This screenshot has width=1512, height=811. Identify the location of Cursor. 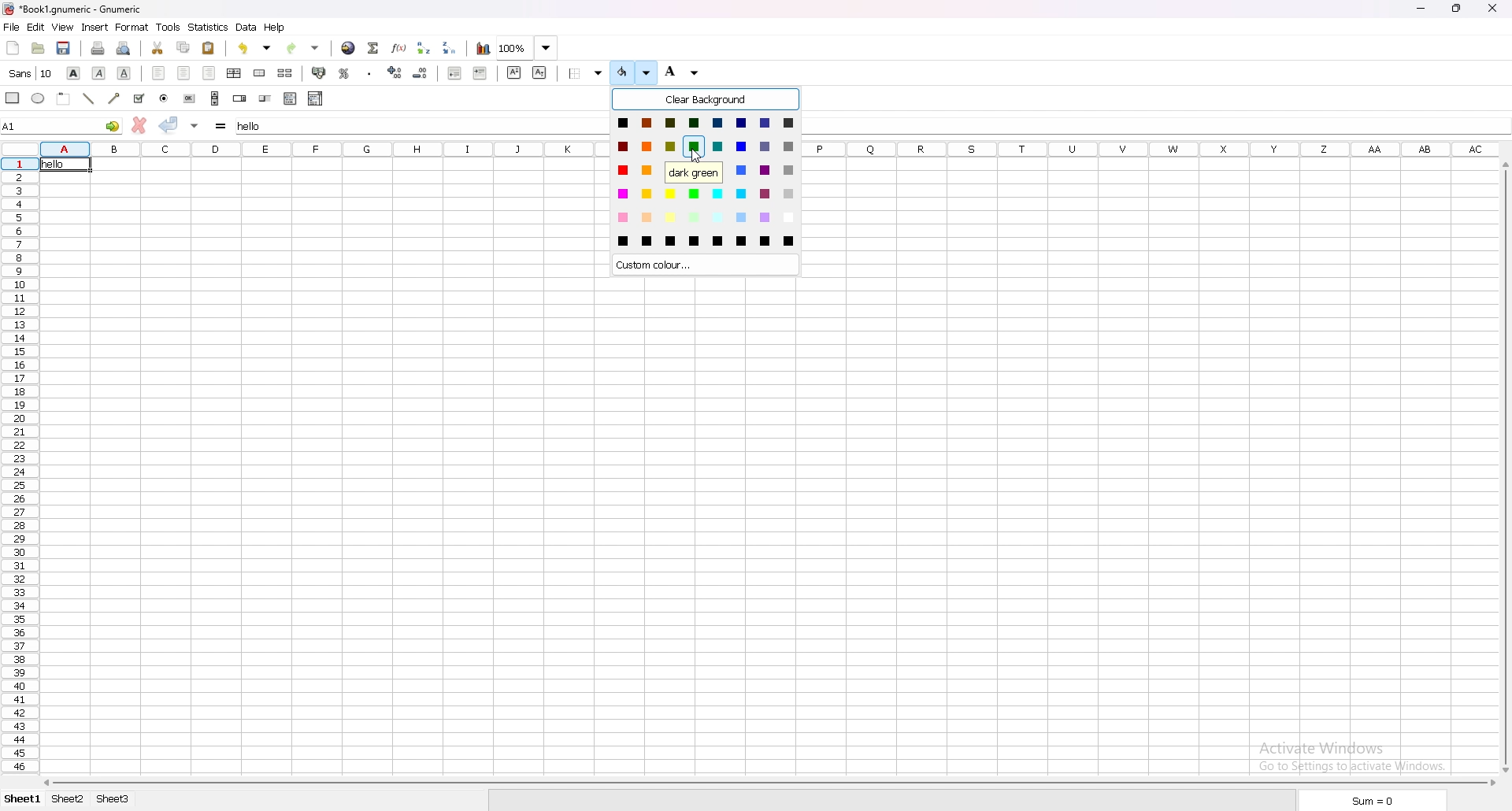
(696, 155).